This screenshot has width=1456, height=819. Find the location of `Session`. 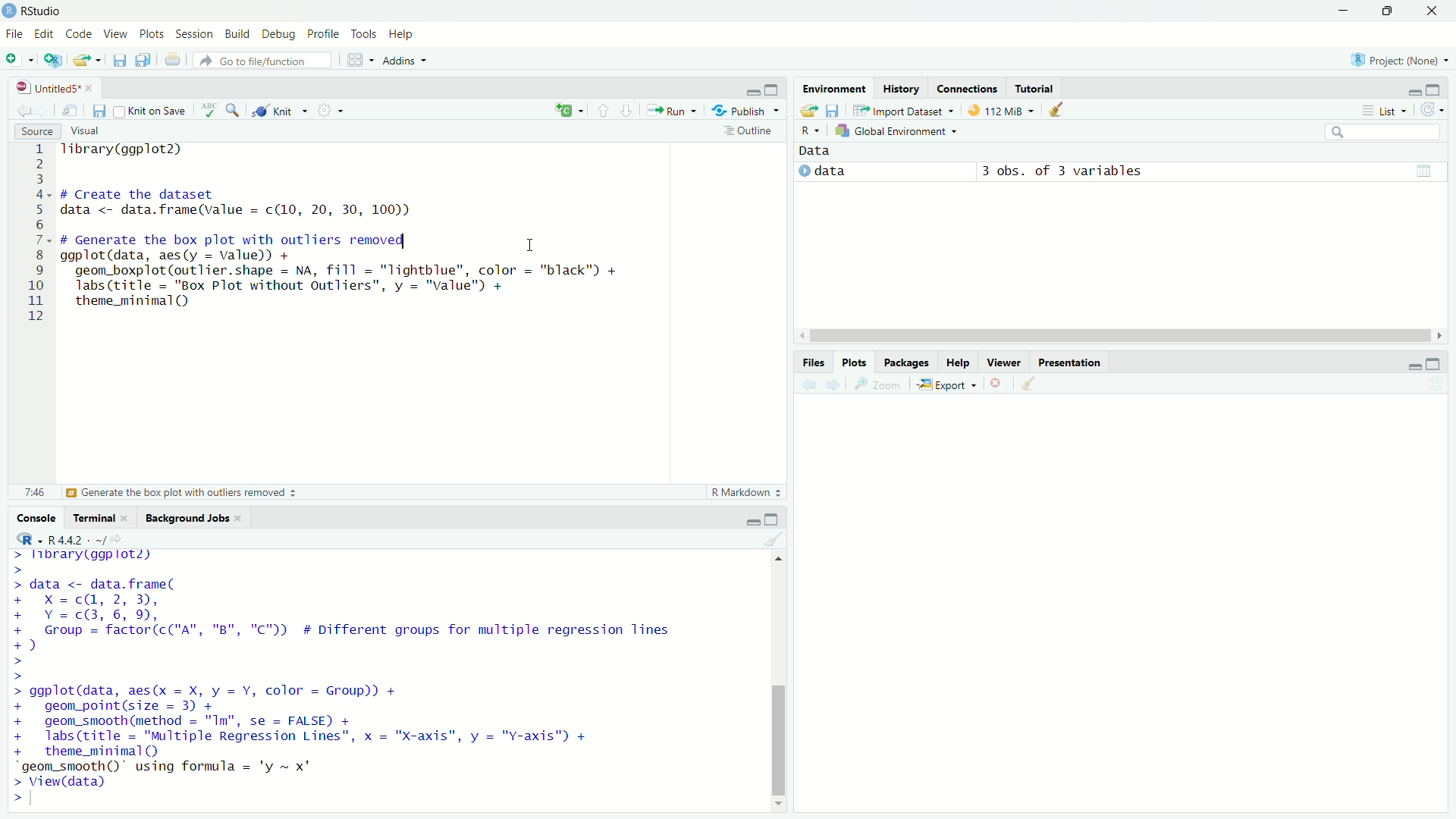

Session is located at coordinates (196, 35).